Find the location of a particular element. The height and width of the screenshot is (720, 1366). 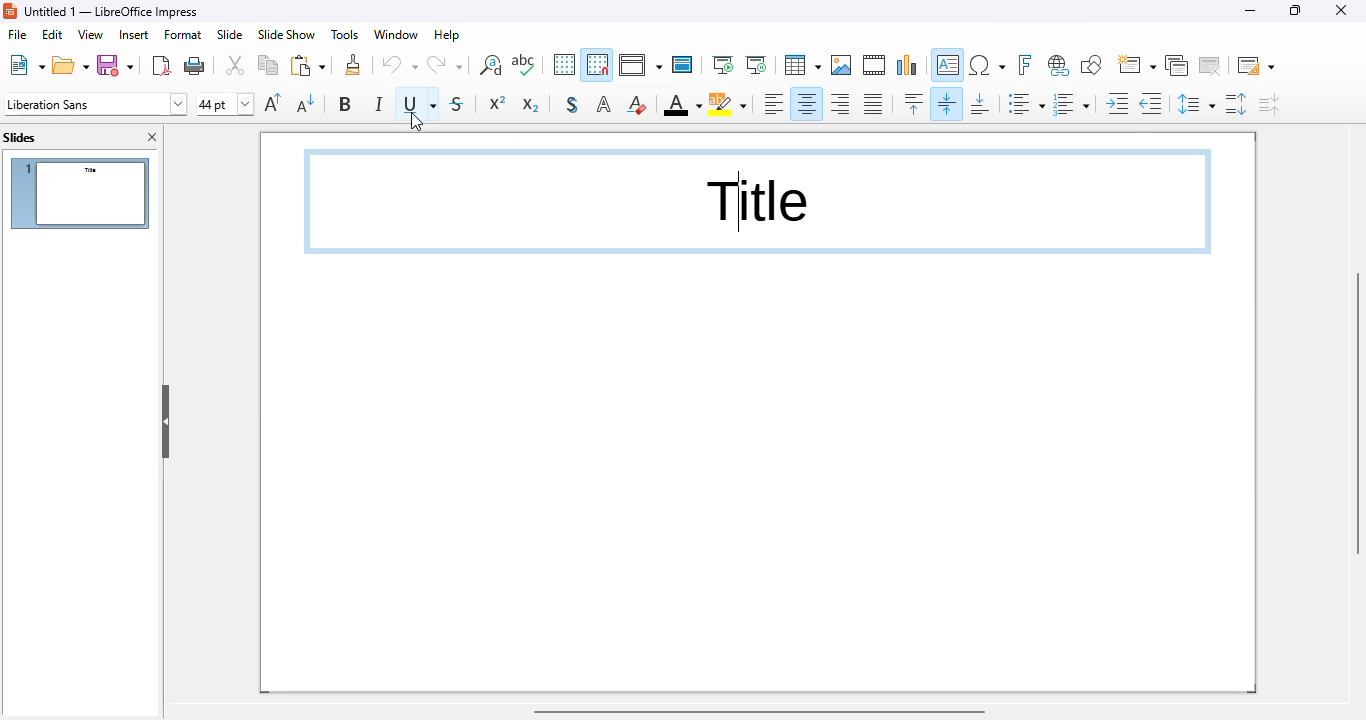

increase paragraph spacing is located at coordinates (1236, 105).